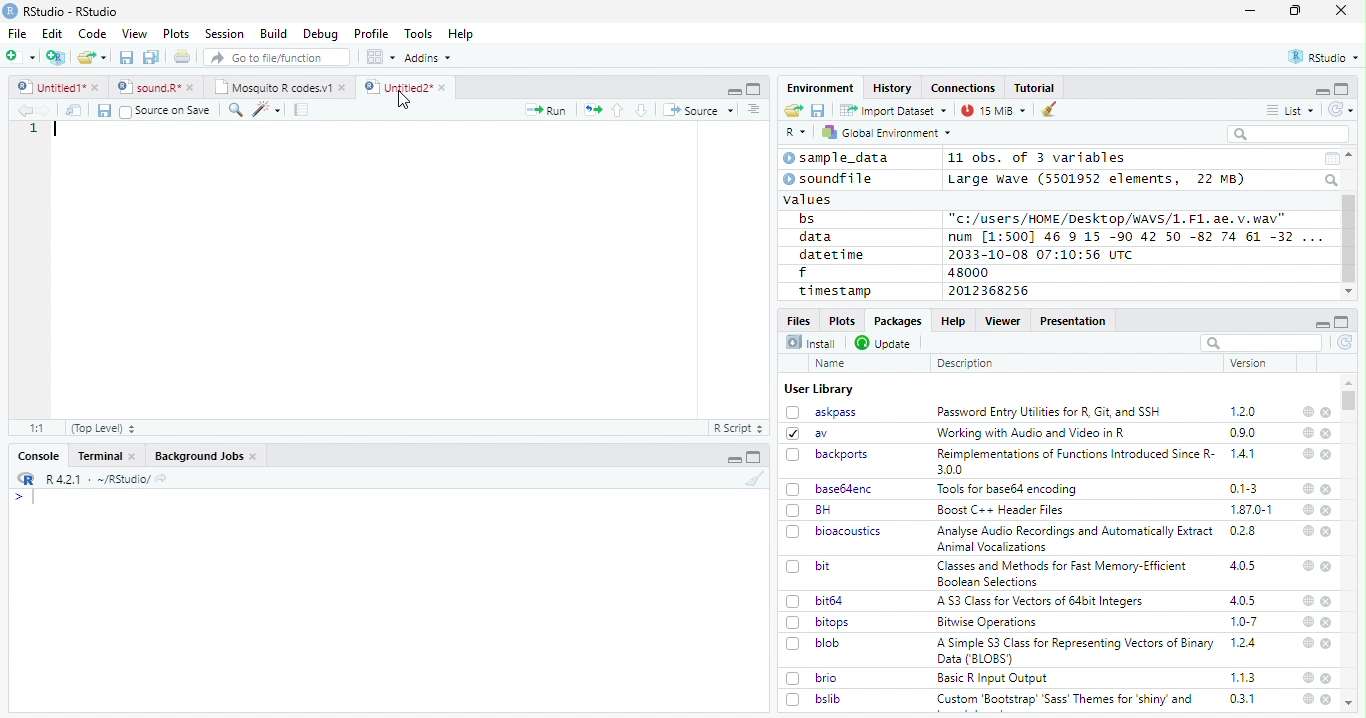 The height and width of the screenshot is (718, 1366). I want to click on sound.R*, so click(156, 88).